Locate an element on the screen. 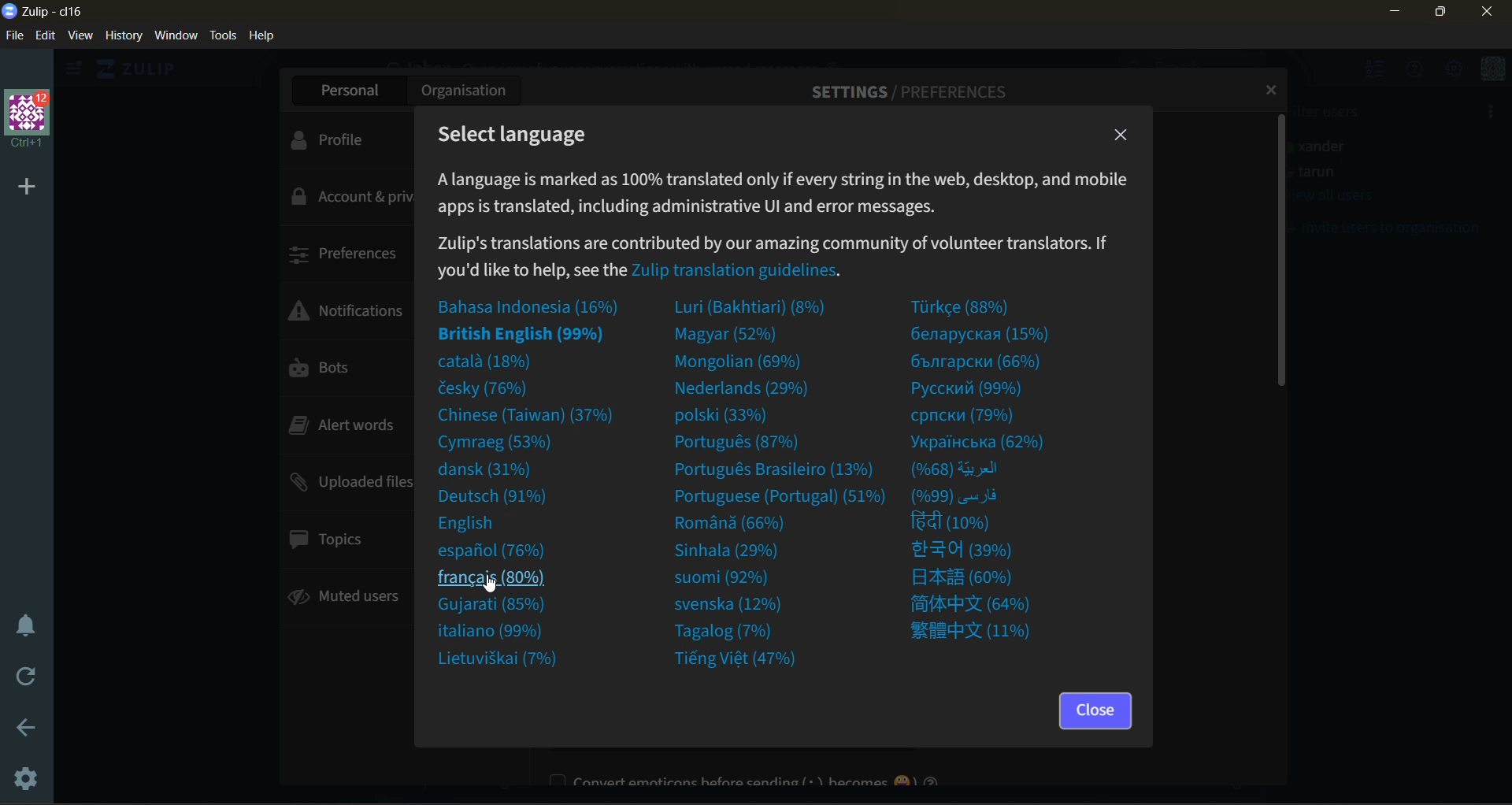 The height and width of the screenshot is (805, 1512). french is located at coordinates (501, 577).